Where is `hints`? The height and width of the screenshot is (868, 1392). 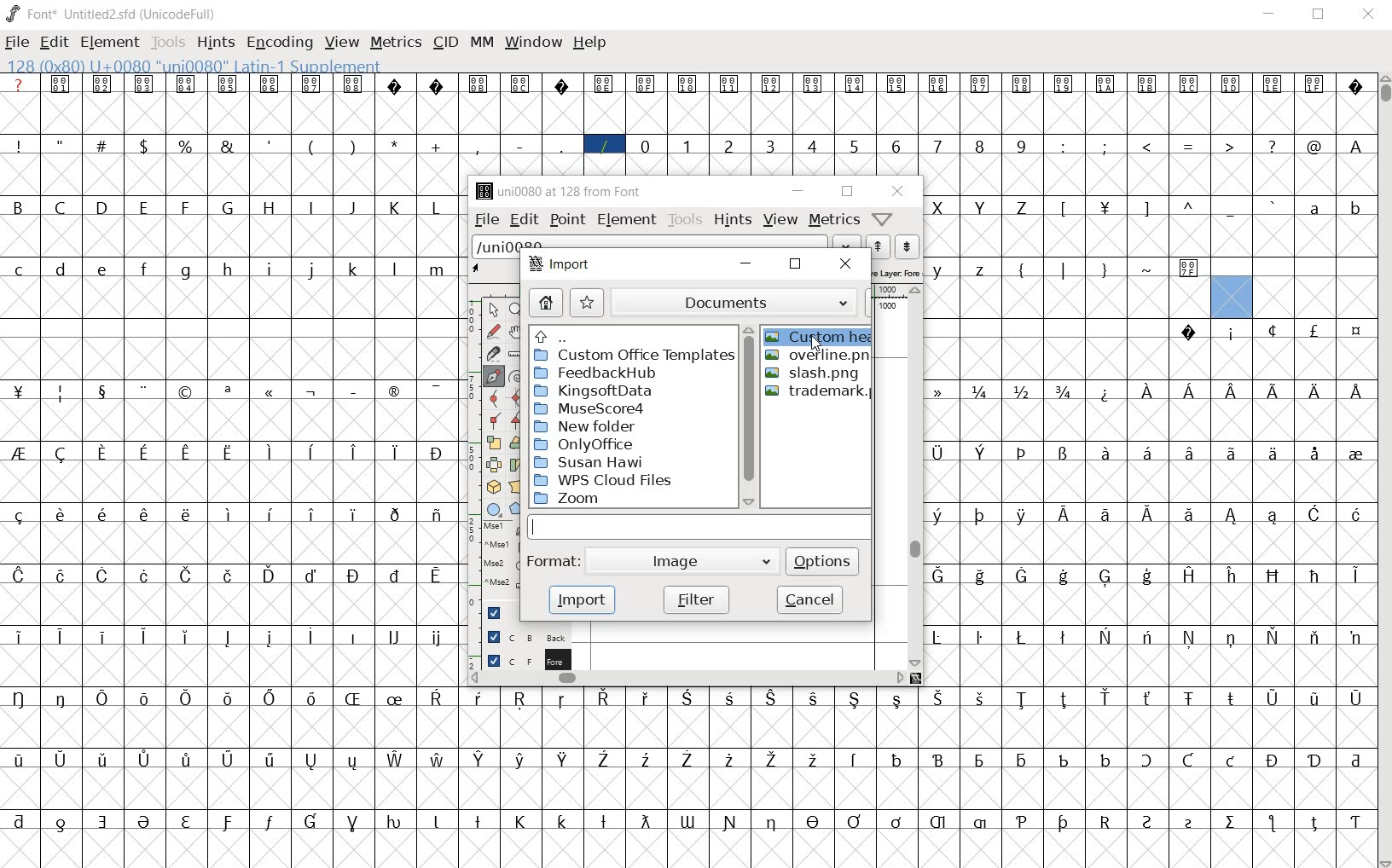 hints is located at coordinates (730, 219).